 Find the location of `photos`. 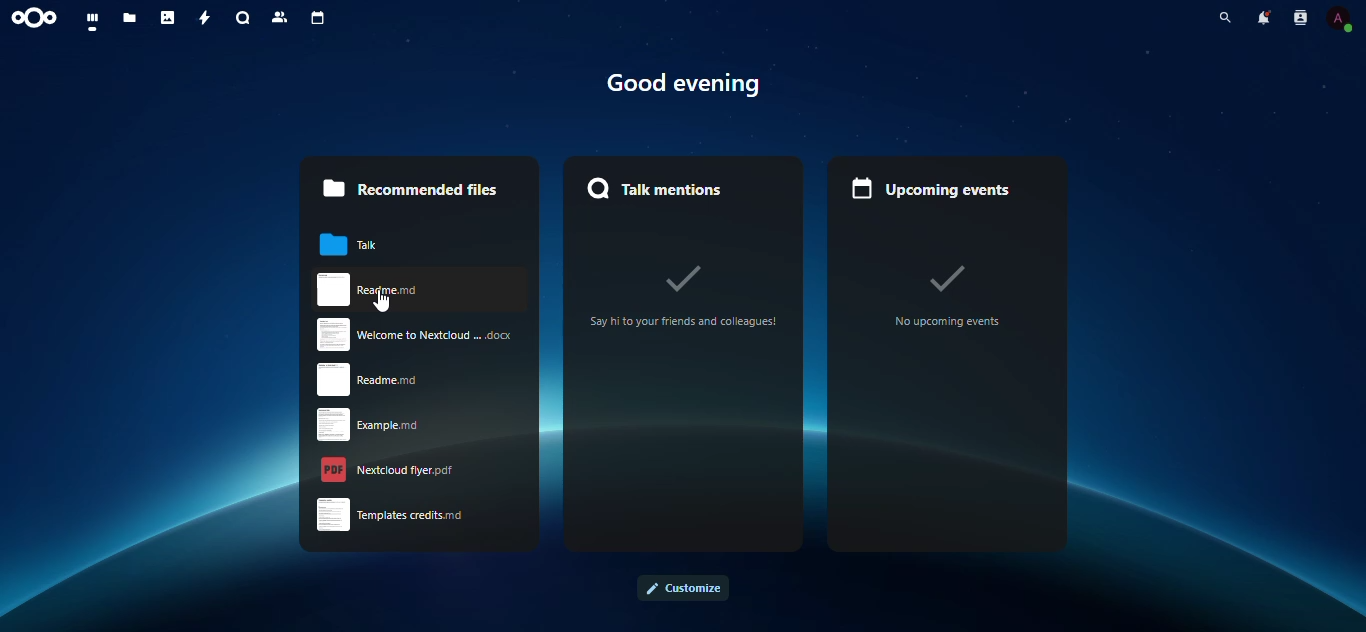

photos is located at coordinates (168, 18).